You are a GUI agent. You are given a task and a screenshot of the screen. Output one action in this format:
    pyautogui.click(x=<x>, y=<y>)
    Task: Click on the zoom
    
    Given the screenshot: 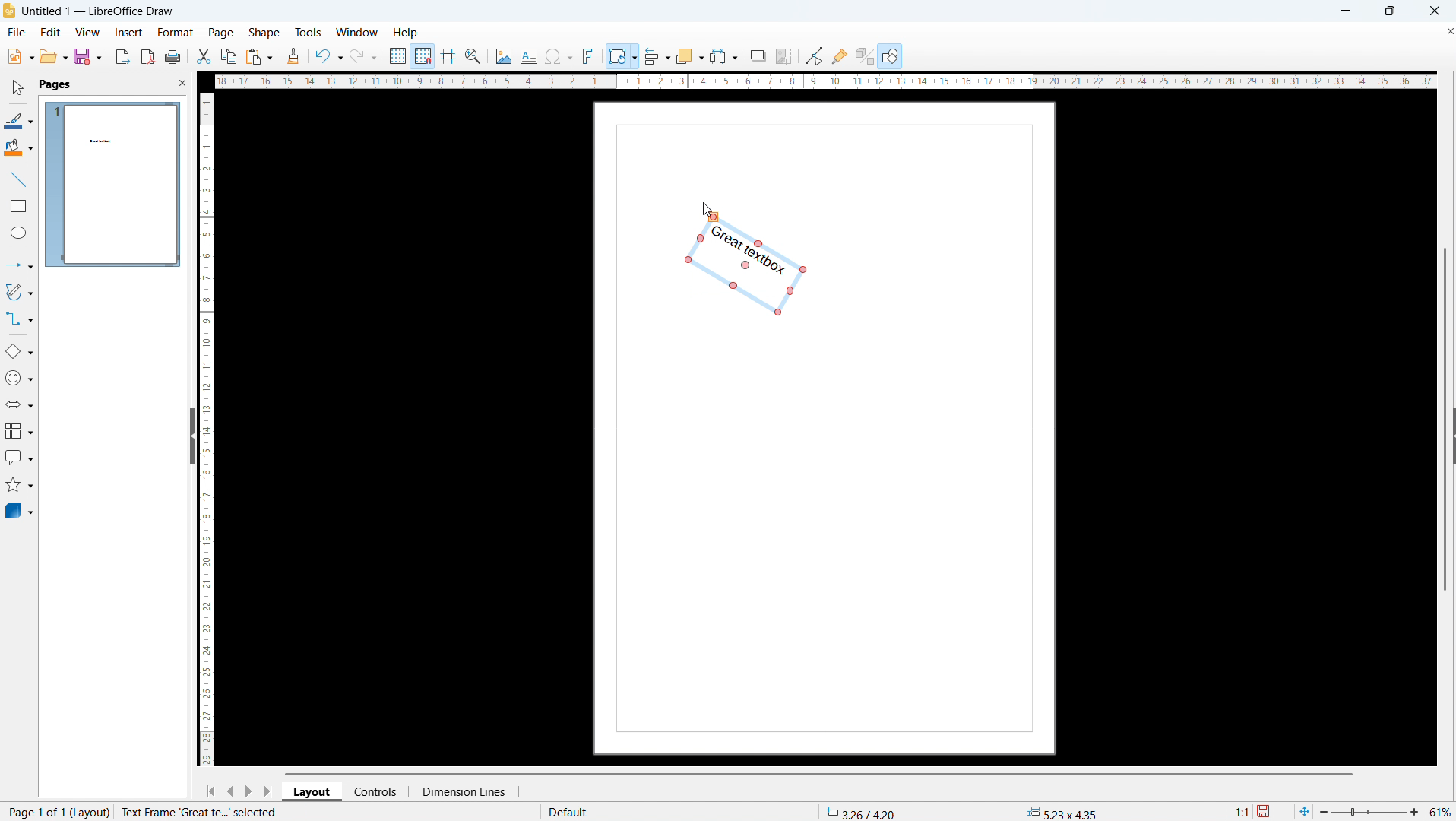 What is the action you would take?
    pyautogui.click(x=474, y=56)
    